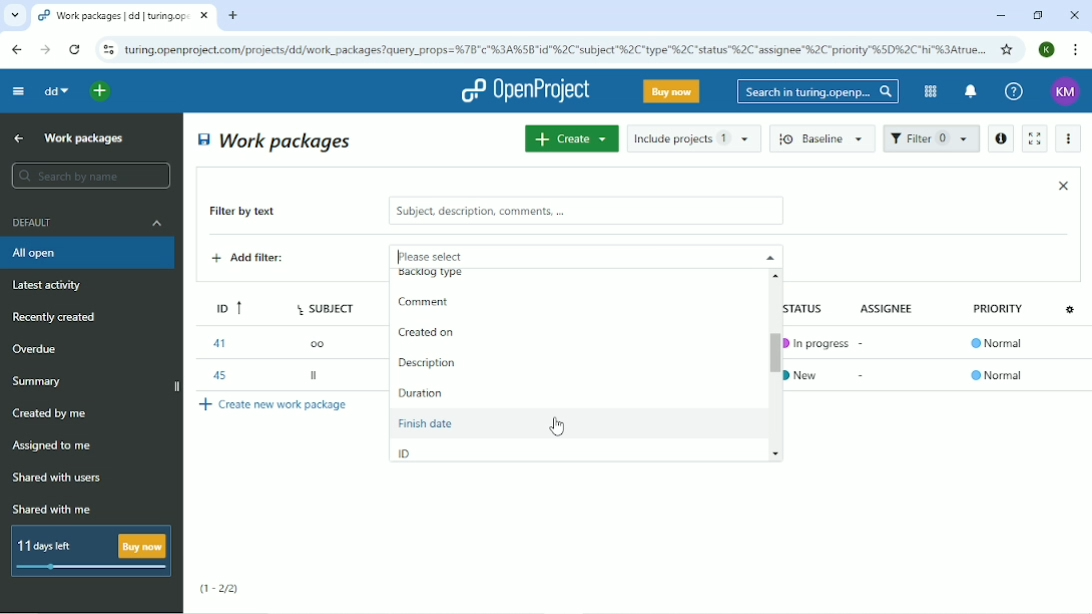 The image size is (1092, 614). What do you see at coordinates (55, 91) in the screenshot?
I see `dd` at bounding box center [55, 91].